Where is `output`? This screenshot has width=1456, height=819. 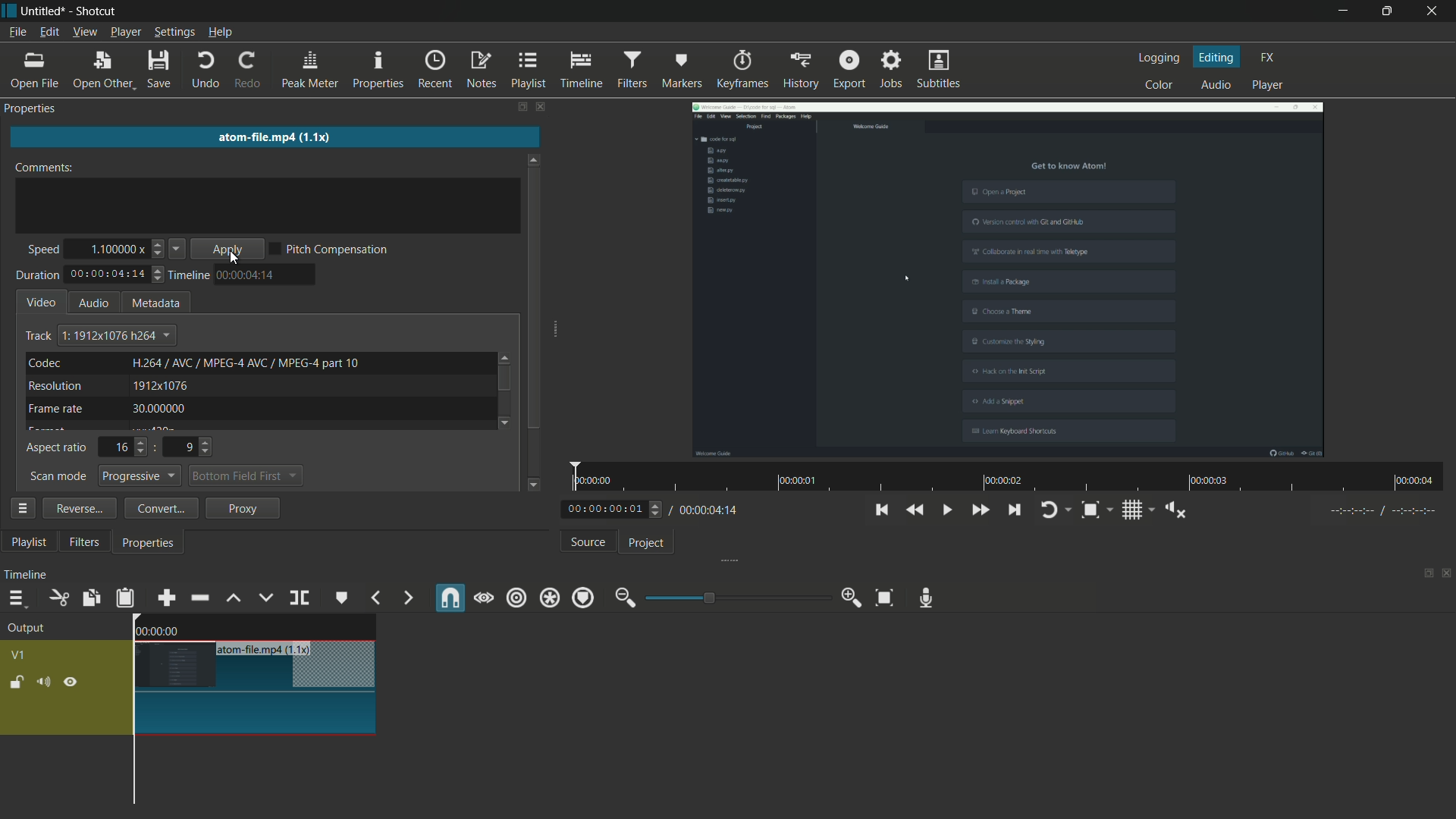
output is located at coordinates (26, 629).